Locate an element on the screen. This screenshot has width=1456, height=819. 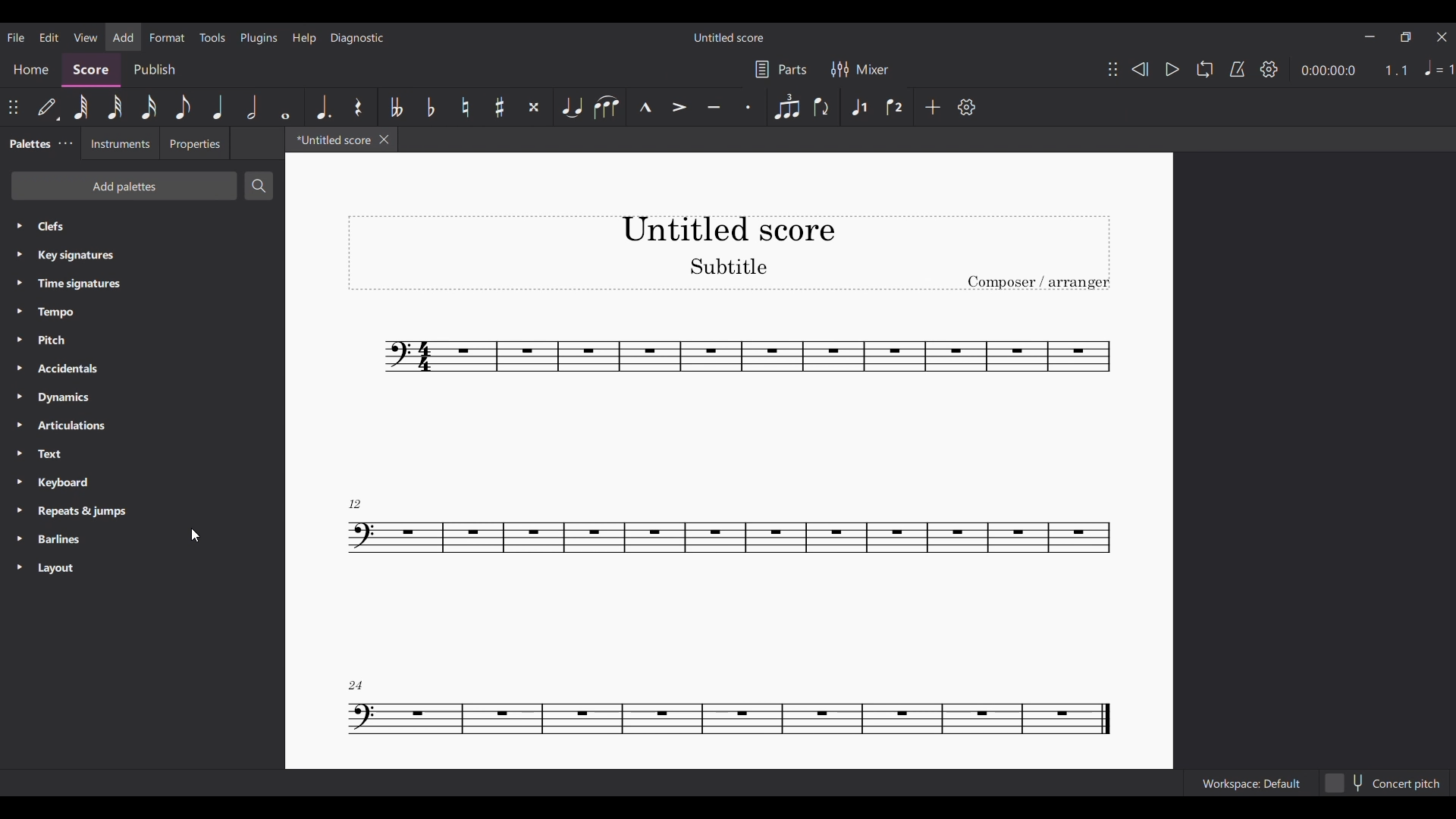
Plugins is located at coordinates (258, 38).